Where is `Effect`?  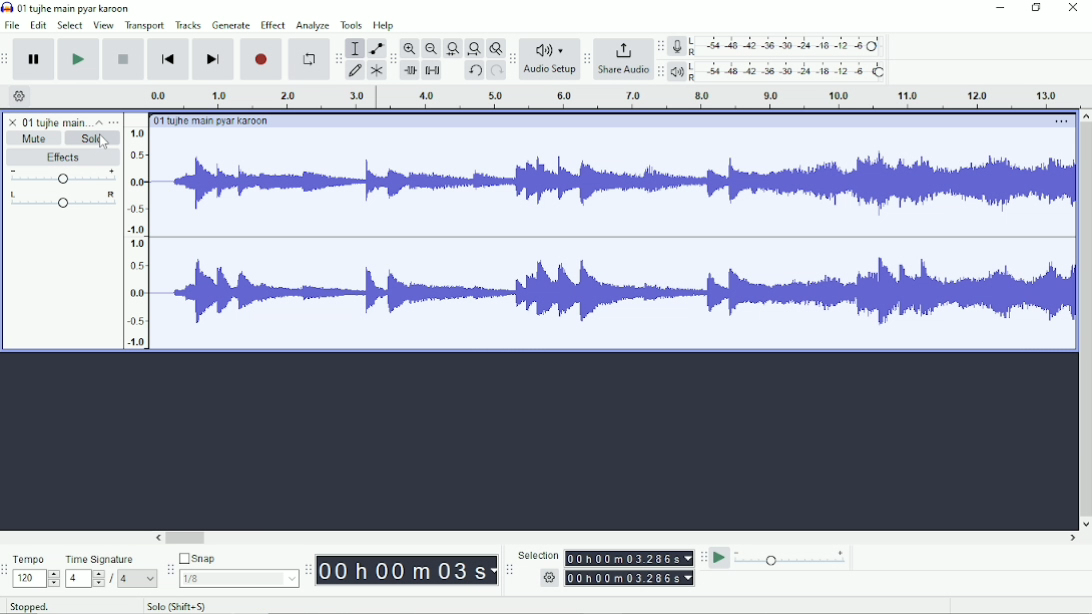
Effect is located at coordinates (273, 25).